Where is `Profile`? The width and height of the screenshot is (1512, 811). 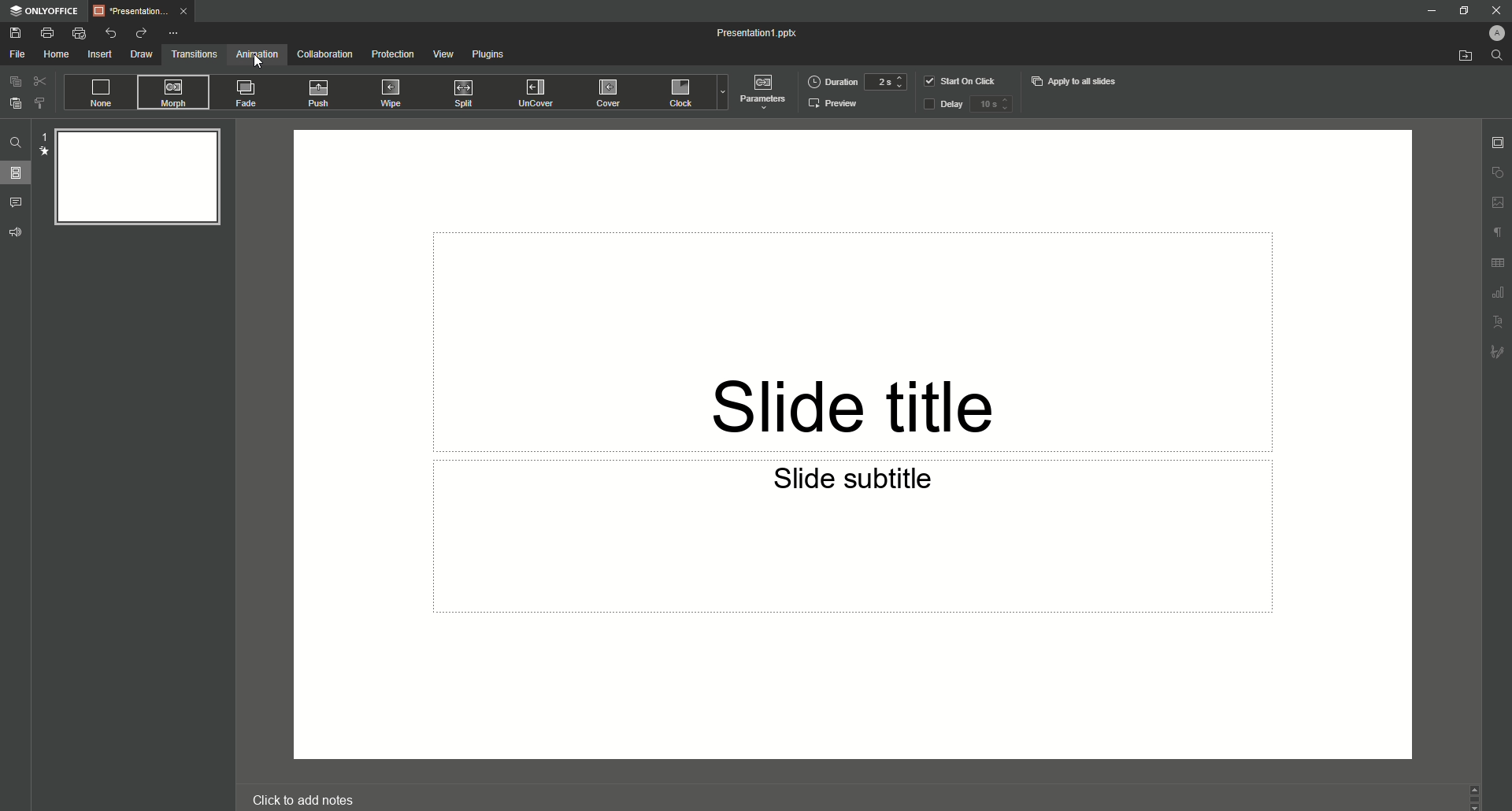 Profile is located at coordinates (1495, 33).